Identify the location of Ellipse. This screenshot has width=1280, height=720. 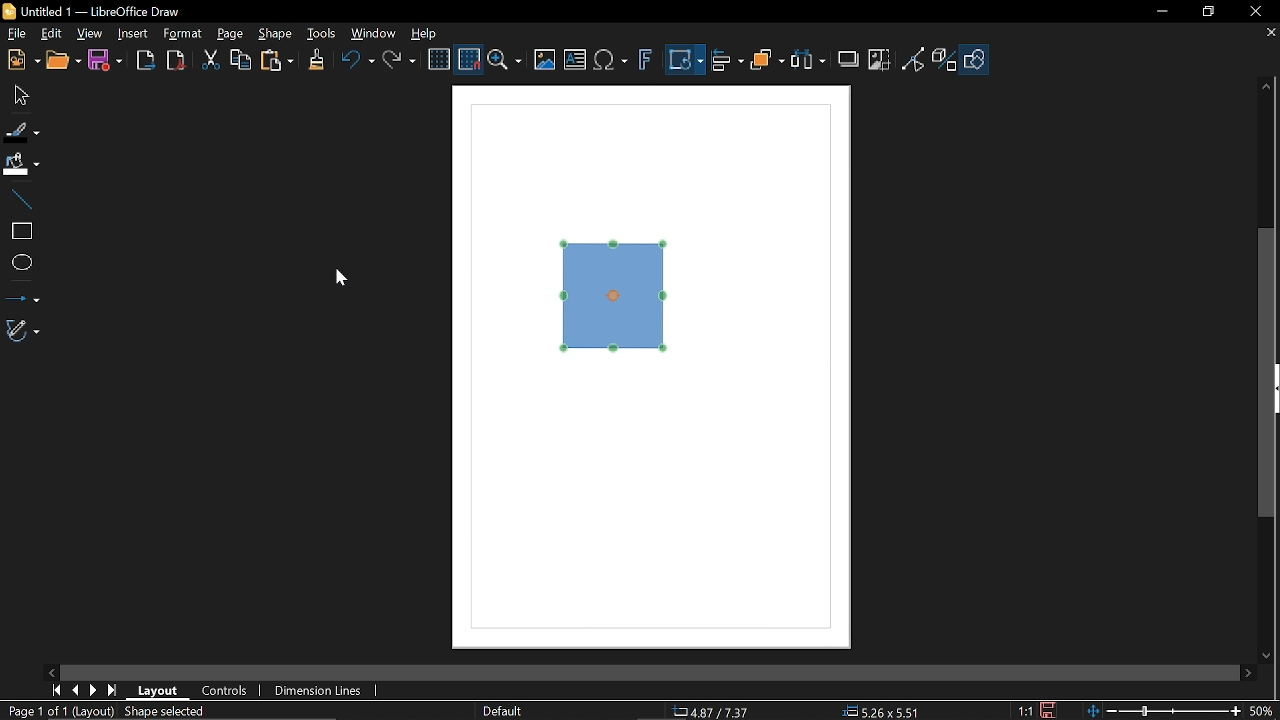
(20, 262).